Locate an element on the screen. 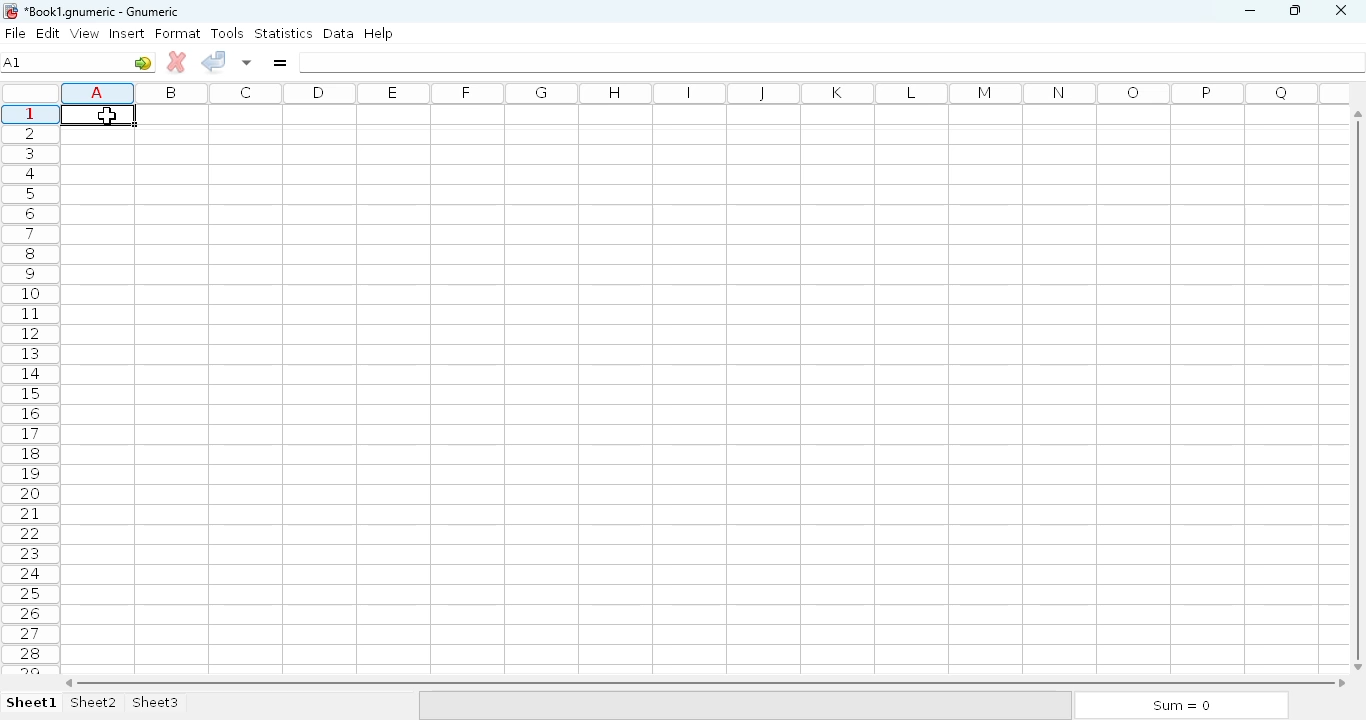  formula bar is located at coordinates (833, 62).